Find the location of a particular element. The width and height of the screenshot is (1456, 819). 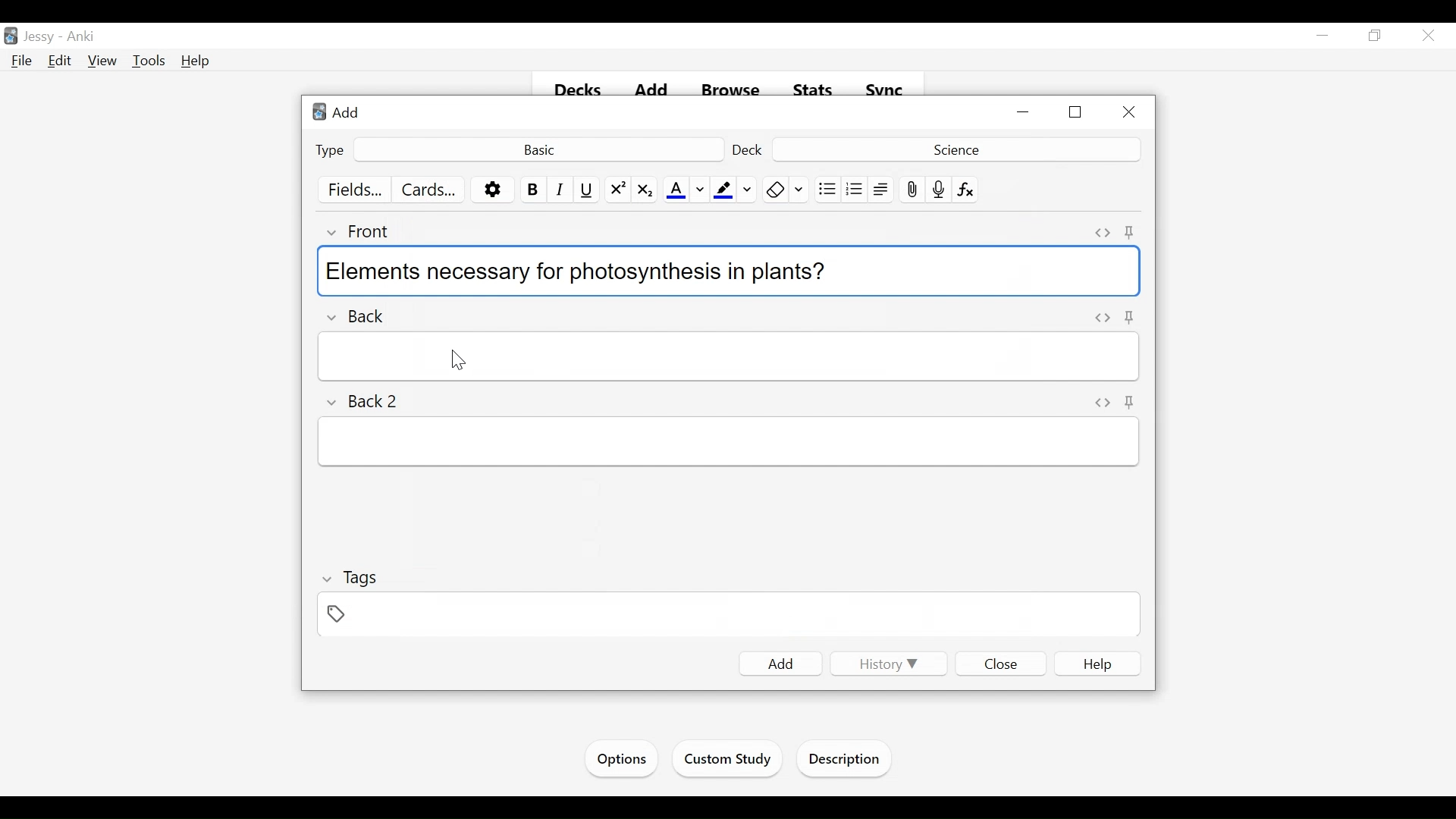

Anki is located at coordinates (81, 37).